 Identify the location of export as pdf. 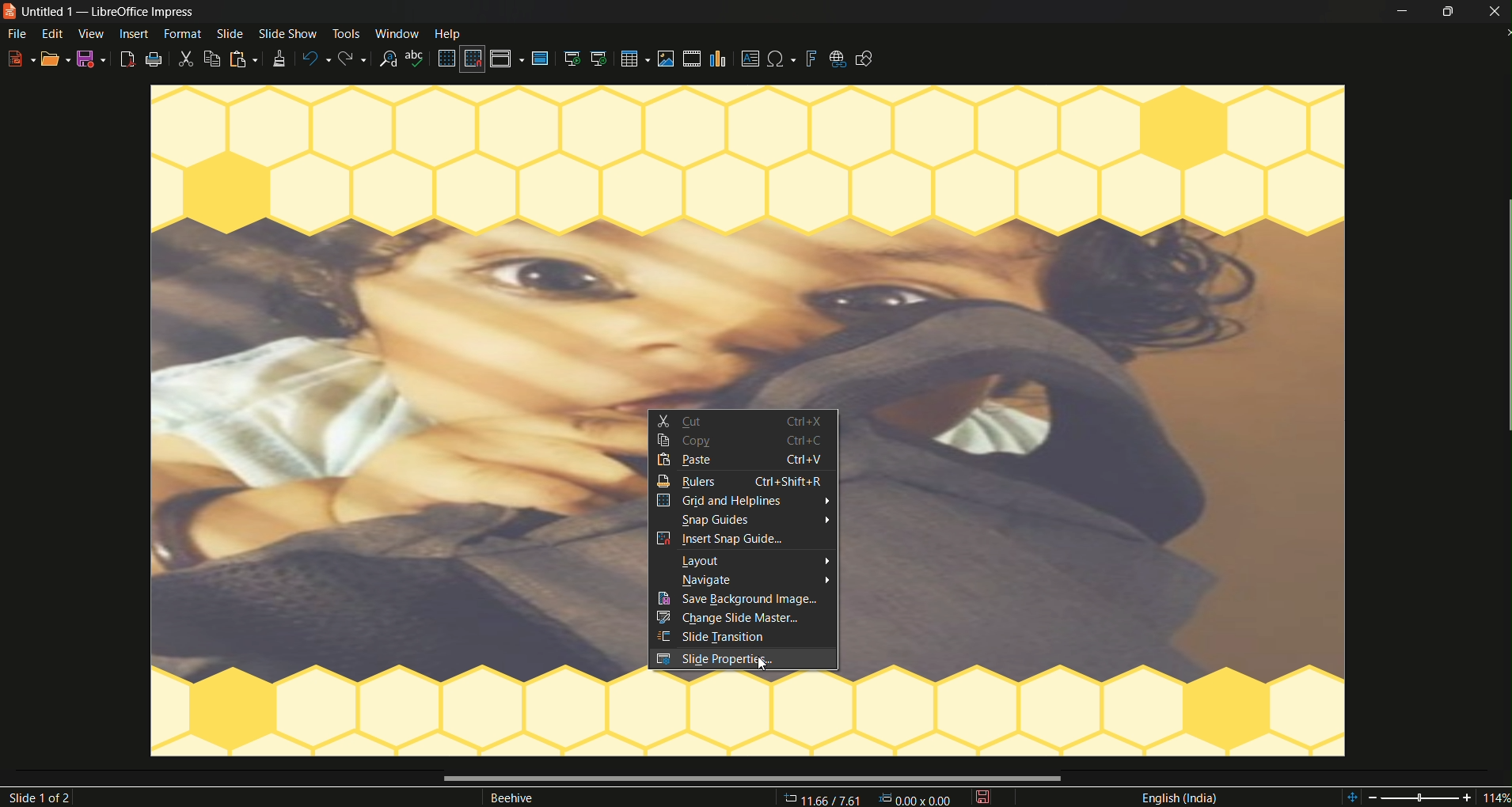
(127, 59).